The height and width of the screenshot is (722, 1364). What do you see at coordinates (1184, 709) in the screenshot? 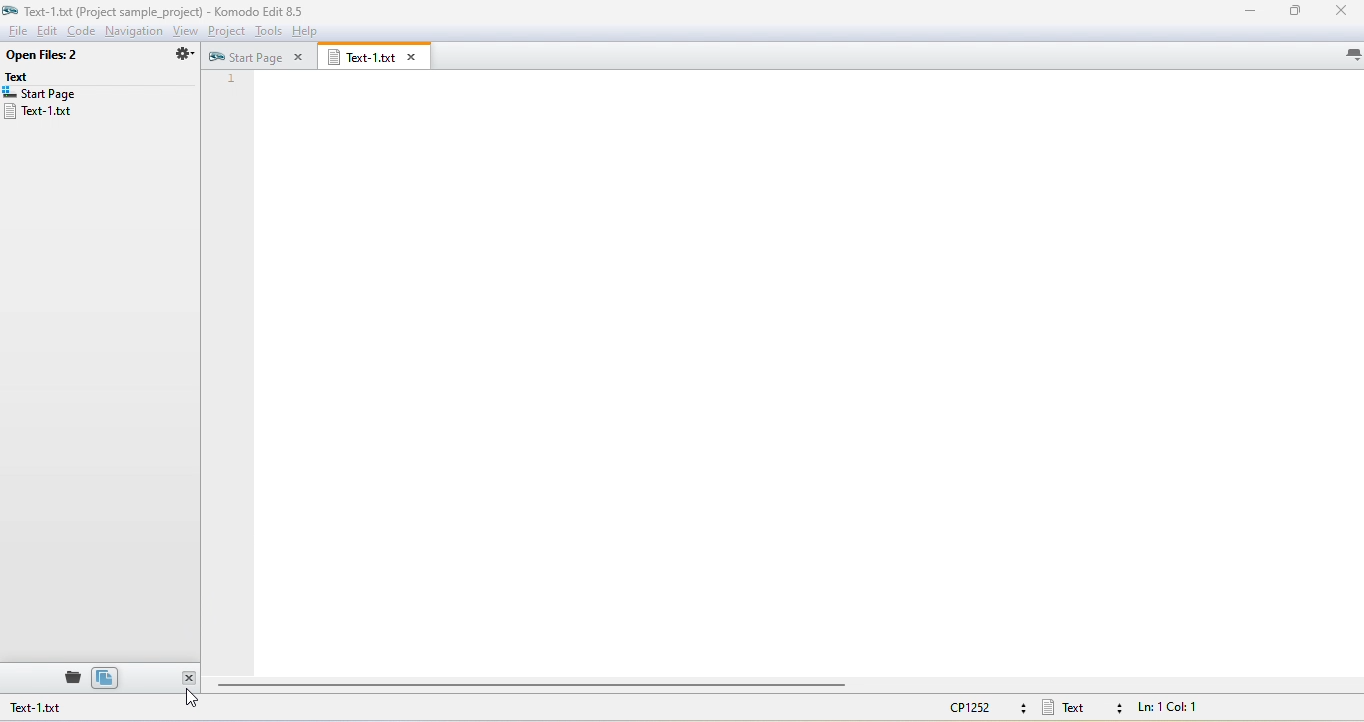
I see `line and column` at bounding box center [1184, 709].